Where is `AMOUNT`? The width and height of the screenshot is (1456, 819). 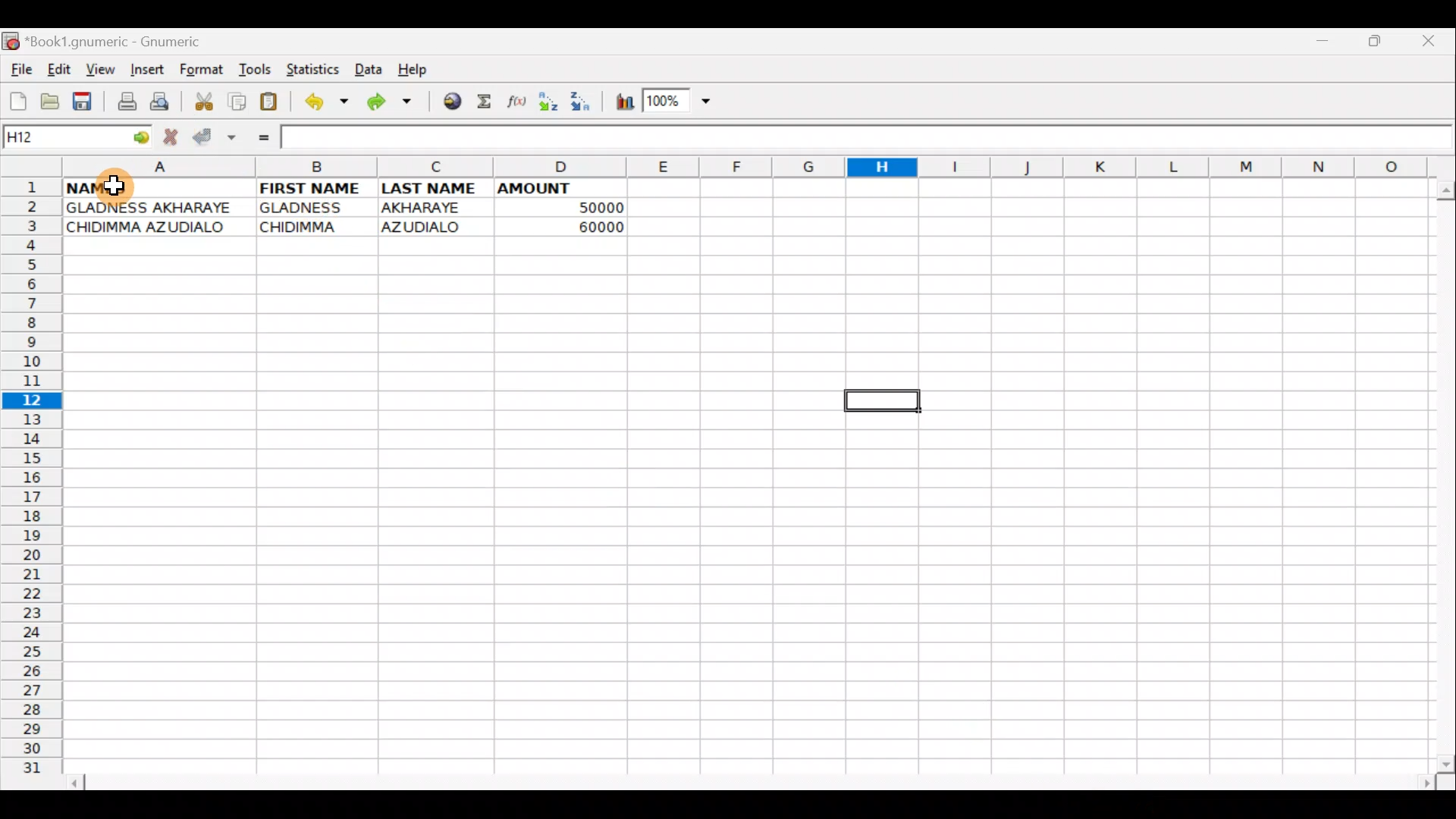
AMOUNT is located at coordinates (558, 190).